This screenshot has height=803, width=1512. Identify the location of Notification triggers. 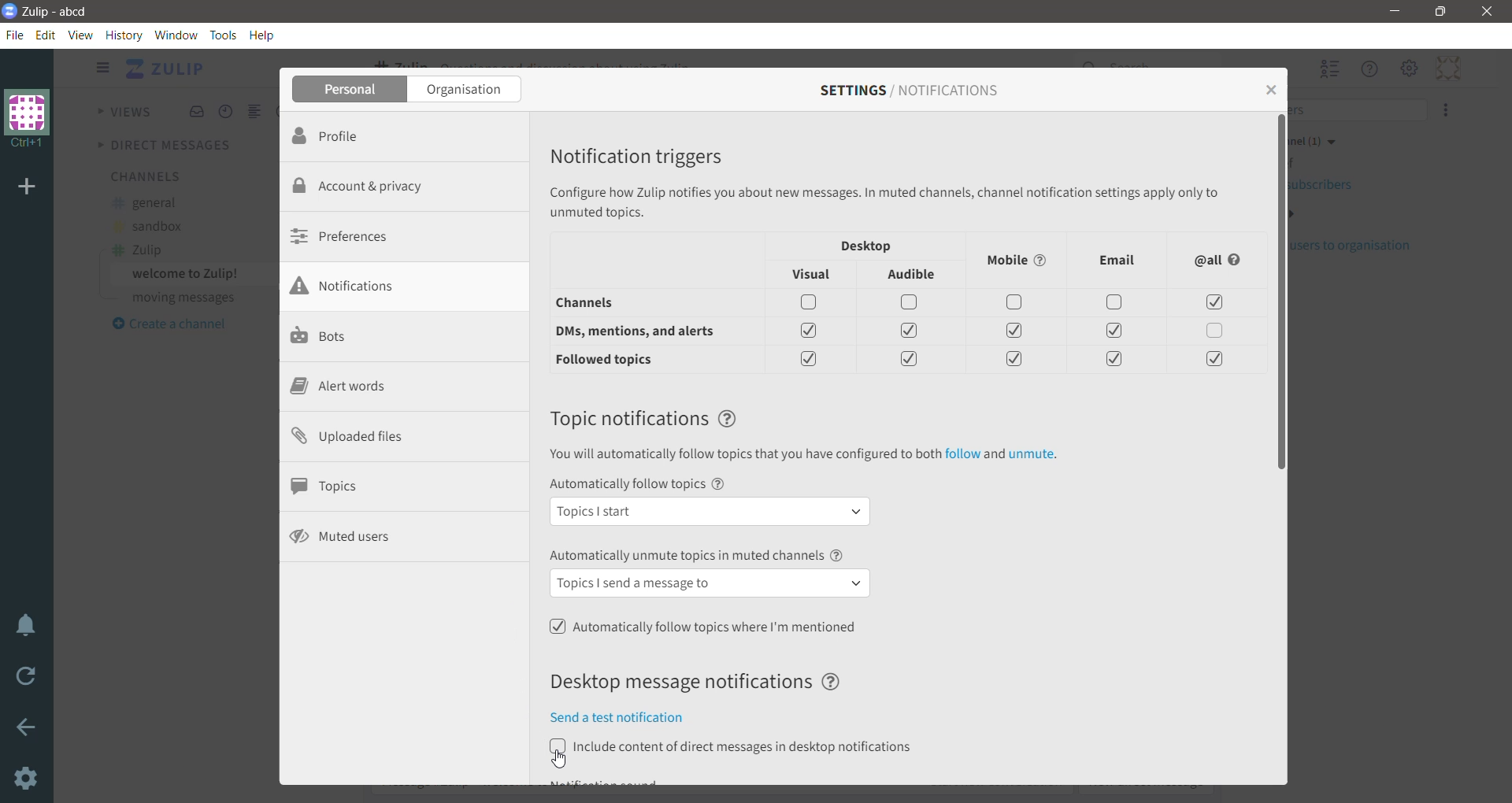
(647, 154).